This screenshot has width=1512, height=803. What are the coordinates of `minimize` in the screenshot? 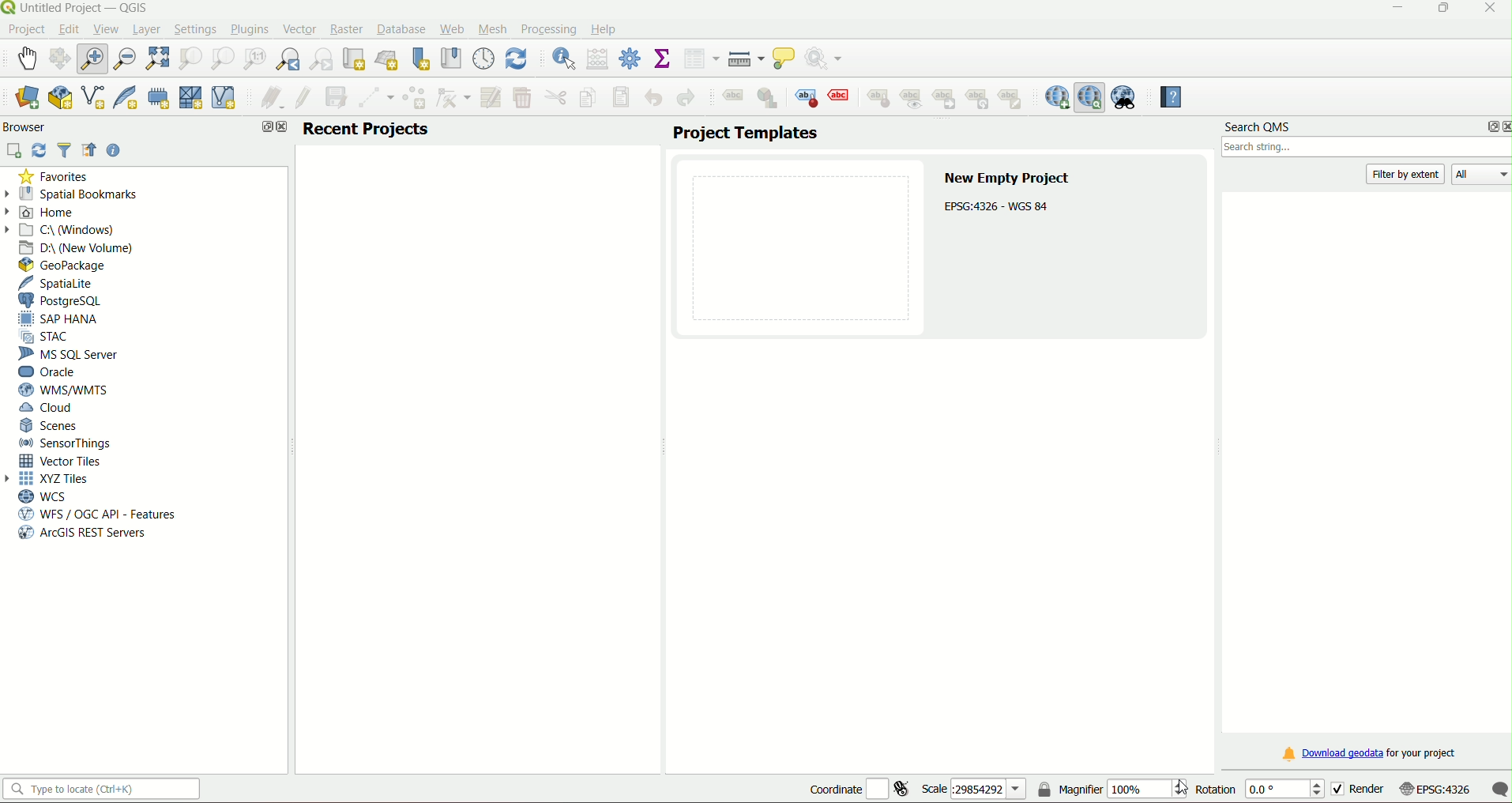 It's located at (1392, 8).